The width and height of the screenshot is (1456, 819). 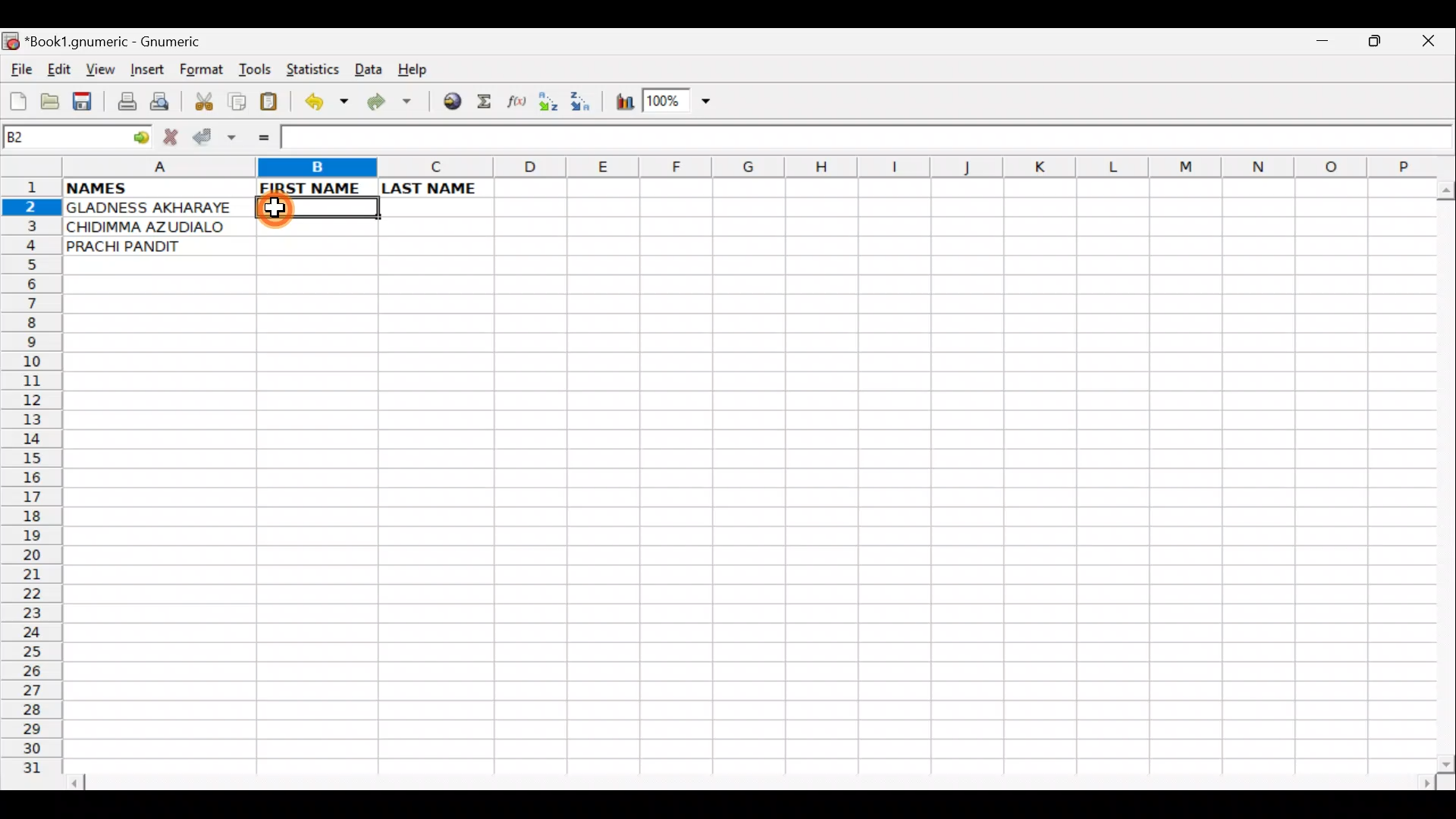 What do you see at coordinates (1377, 44) in the screenshot?
I see `Maximize` at bounding box center [1377, 44].